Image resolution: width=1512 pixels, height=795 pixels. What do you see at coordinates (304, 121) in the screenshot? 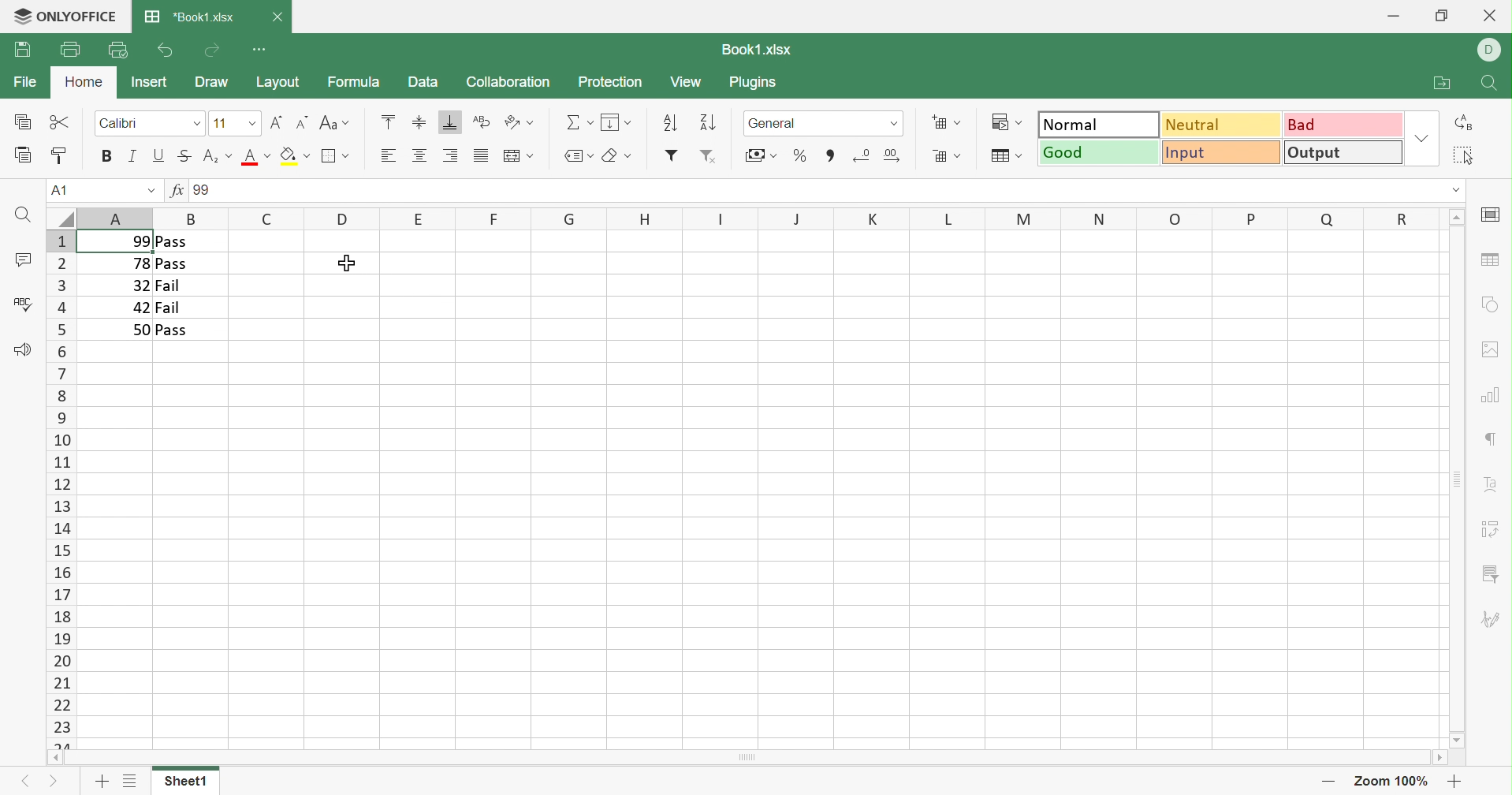
I see `Font decrement` at bounding box center [304, 121].